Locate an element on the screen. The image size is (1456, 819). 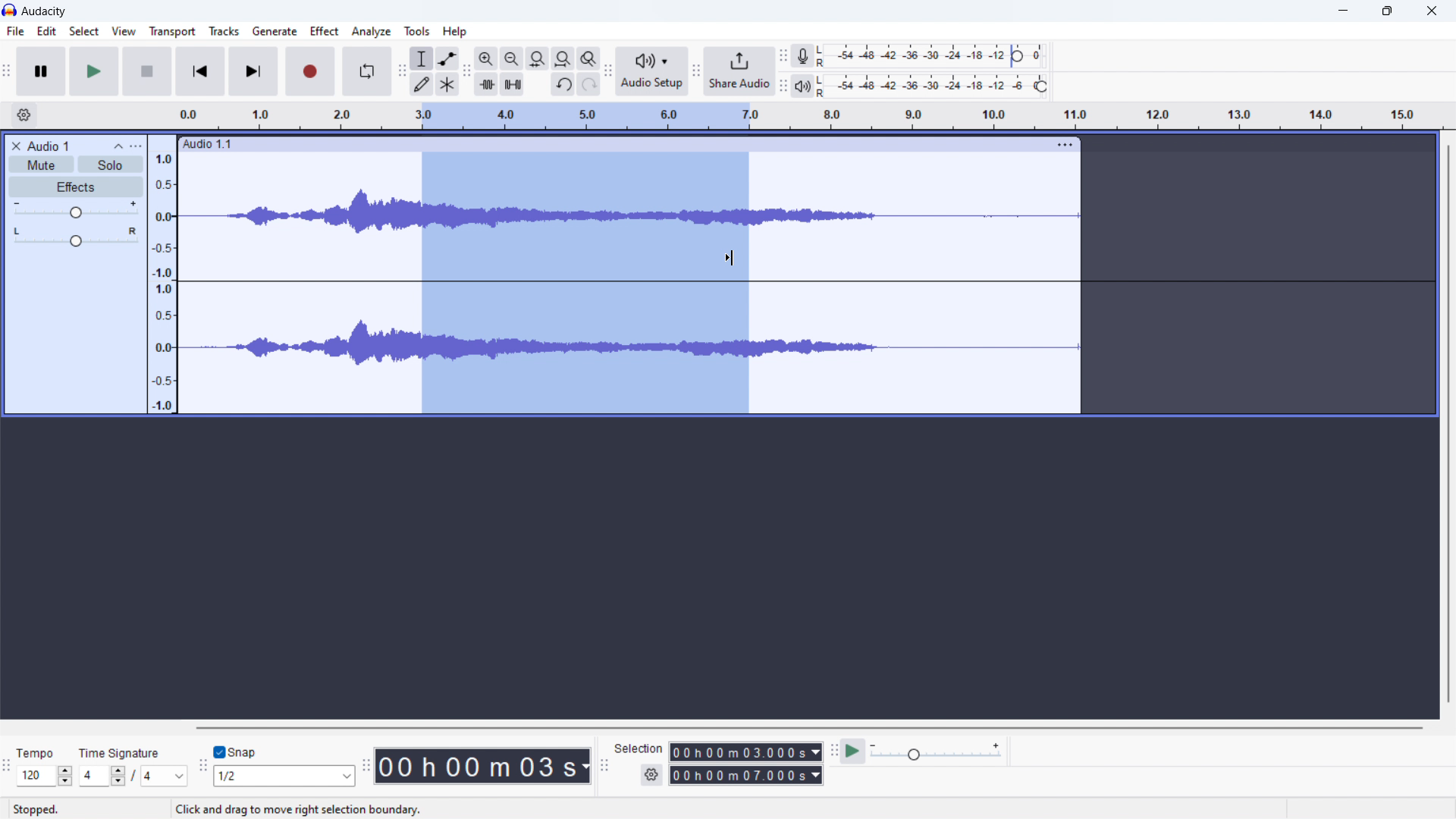
maximize is located at coordinates (1387, 11).